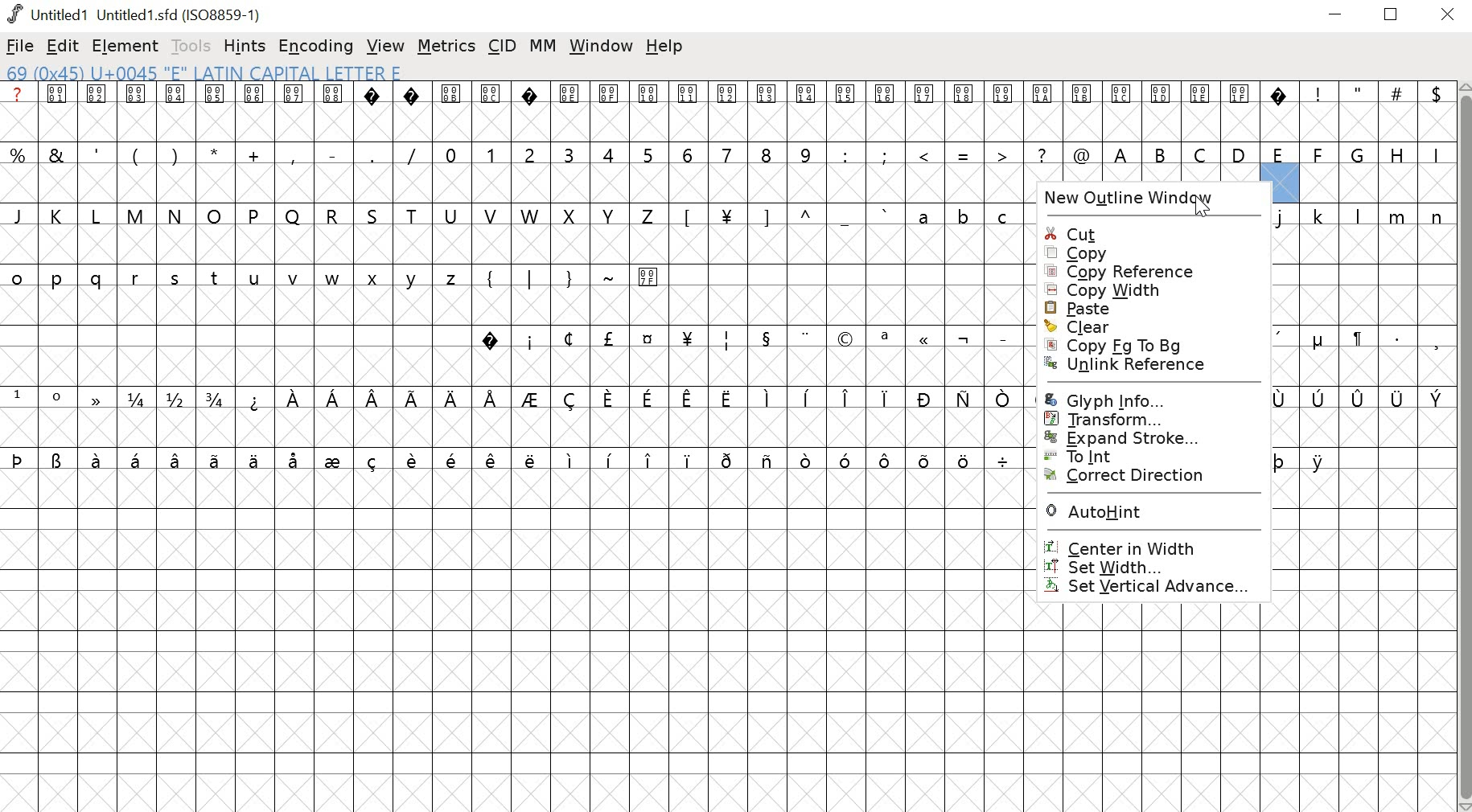  I want to click on file, so click(20, 47).